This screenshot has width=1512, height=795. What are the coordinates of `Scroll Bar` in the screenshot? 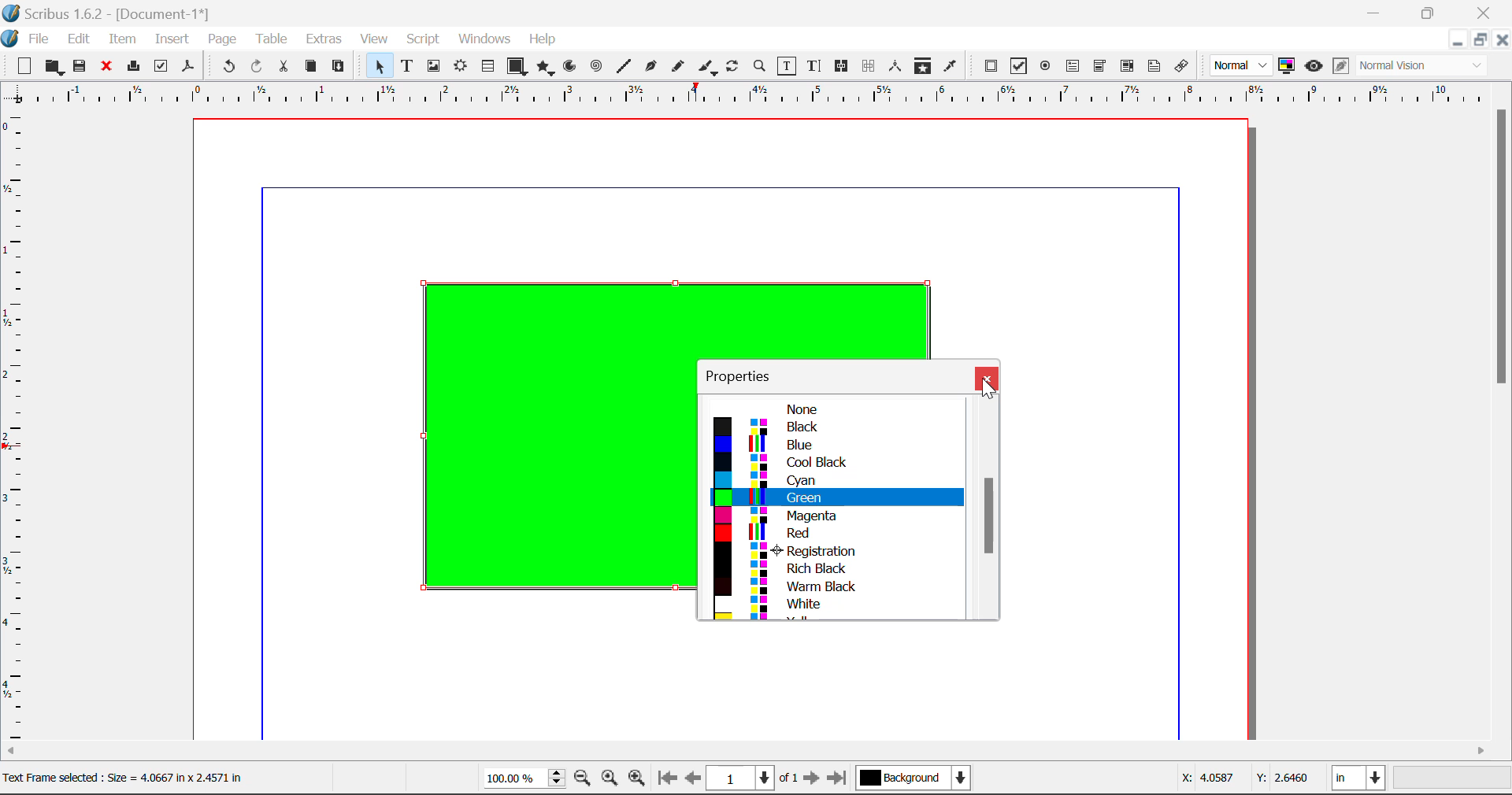 It's located at (984, 508).